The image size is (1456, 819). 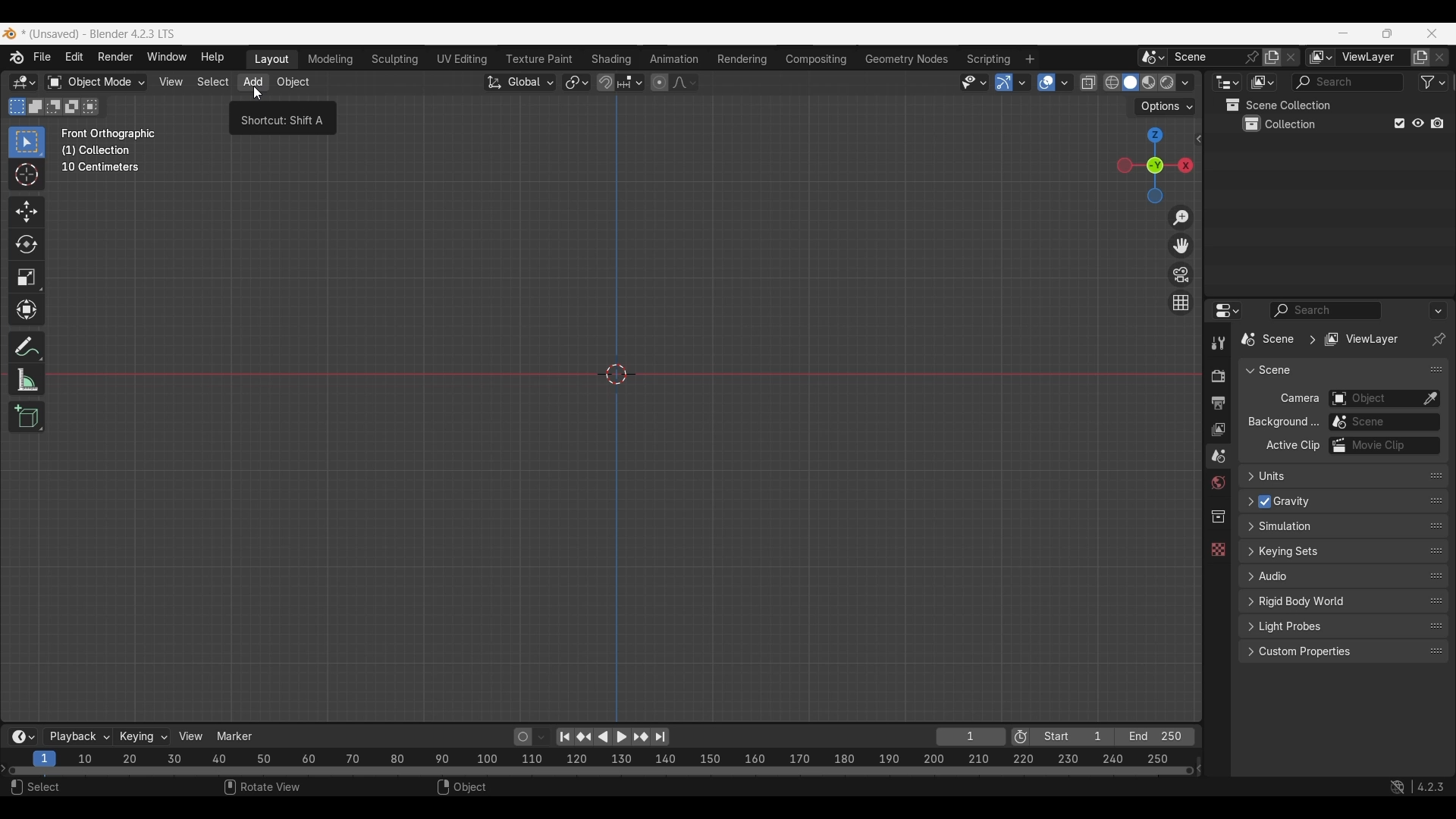 I want to click on Rotate, so click(x=27, y=244).